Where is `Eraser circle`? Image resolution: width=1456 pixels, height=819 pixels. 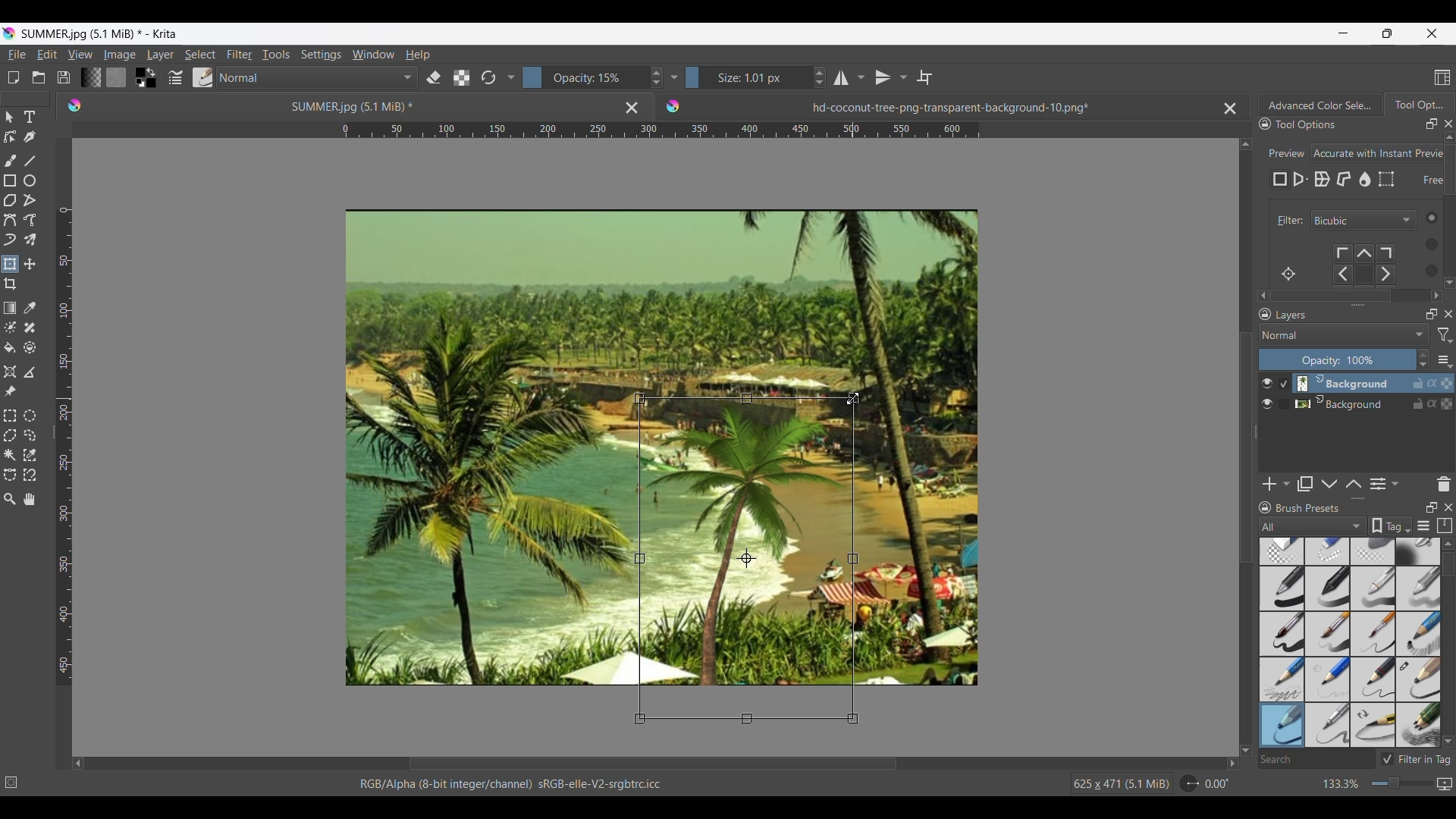 Eraser circle is located at coordinates (1281, 551).